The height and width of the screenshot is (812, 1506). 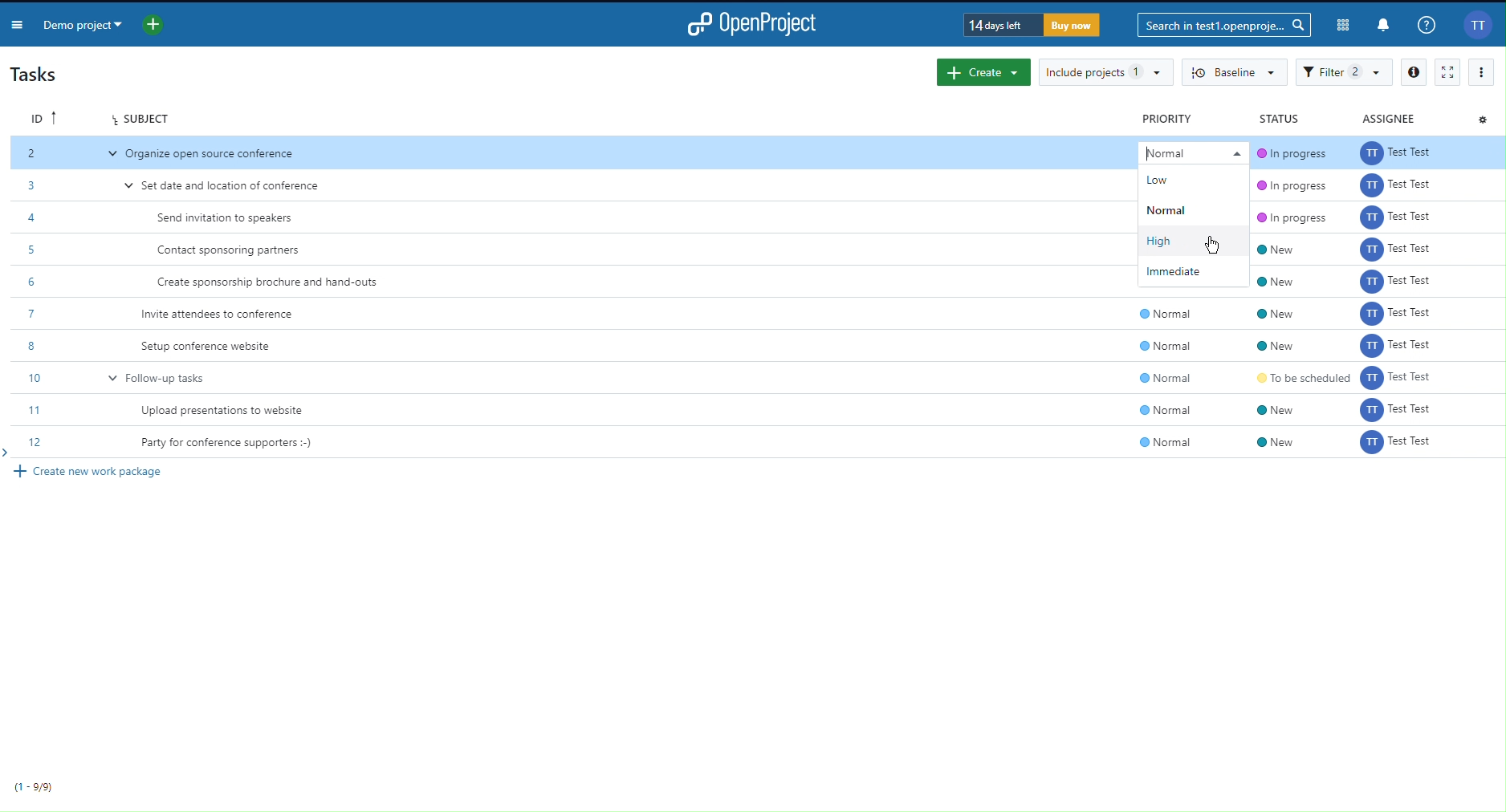 What do you see at coordinates (96, 473) in the screenshot?
I see `Create new work package` at bounding box center [96, 473].